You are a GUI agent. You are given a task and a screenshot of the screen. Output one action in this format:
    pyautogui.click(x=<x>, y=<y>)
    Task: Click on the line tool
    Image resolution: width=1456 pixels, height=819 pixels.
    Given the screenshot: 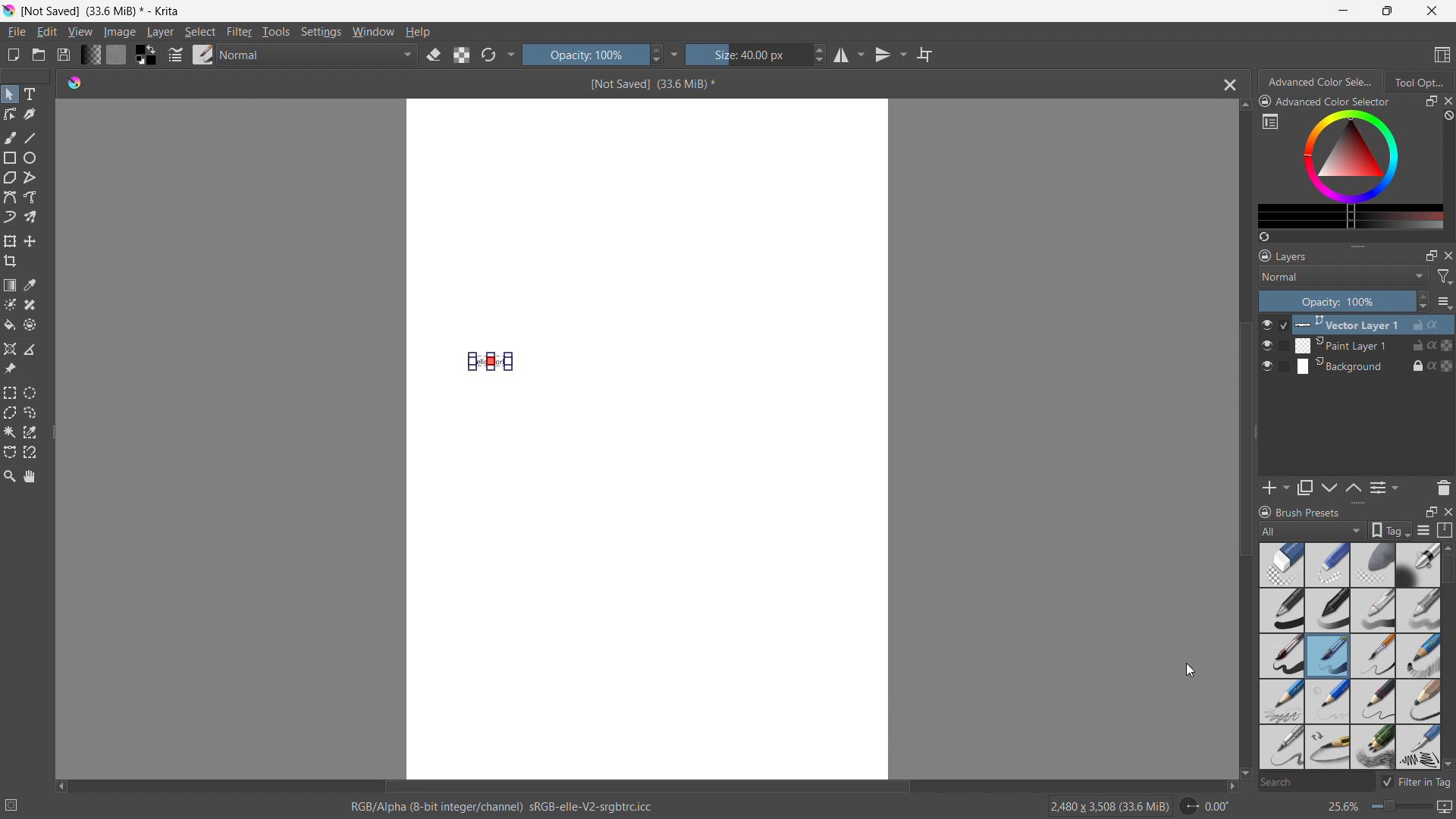 What is the action you would take?
    pyautogui.click(x=31, y=137)
    